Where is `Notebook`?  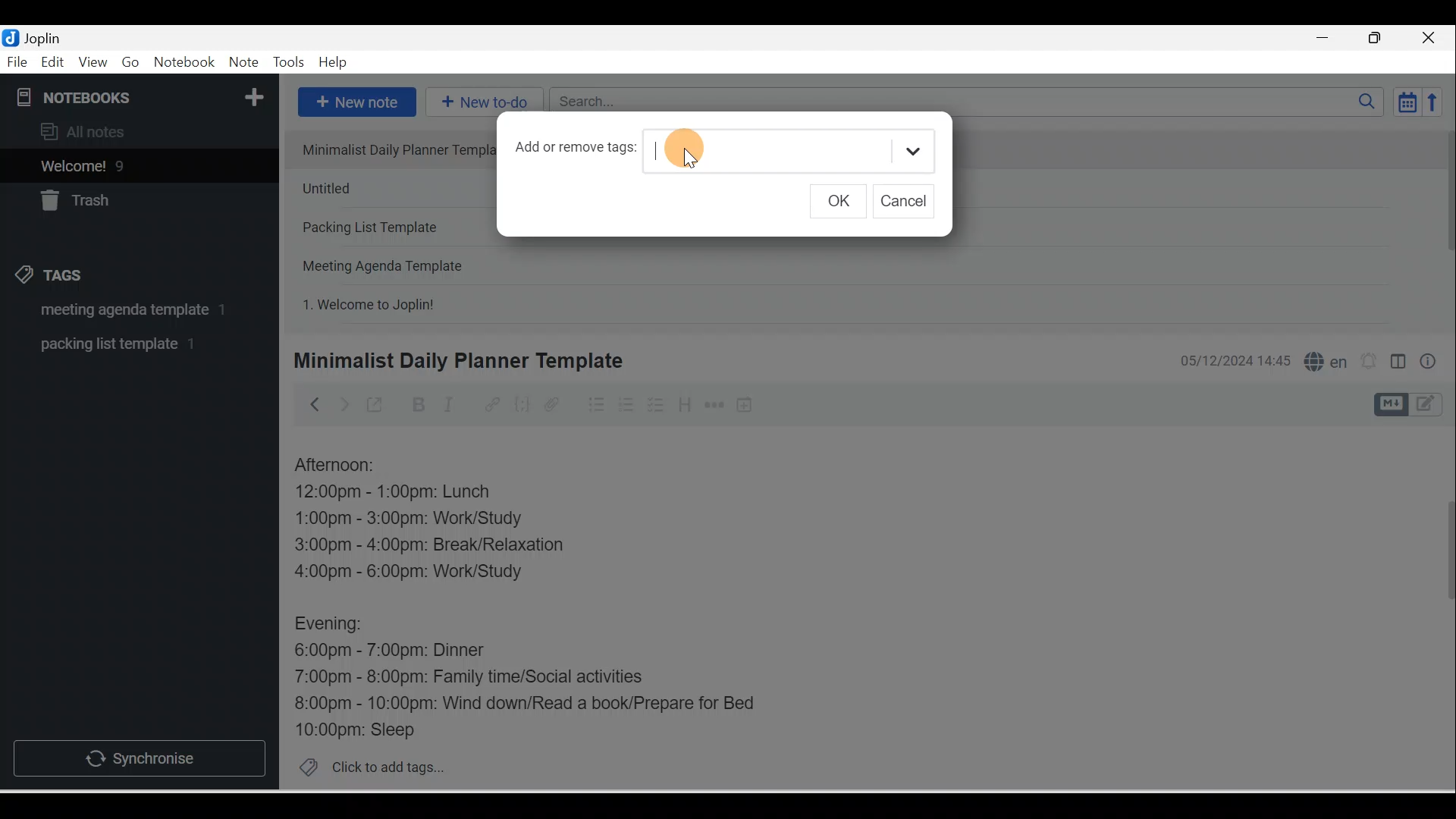
Notebook is located at coordinates (184, 63).